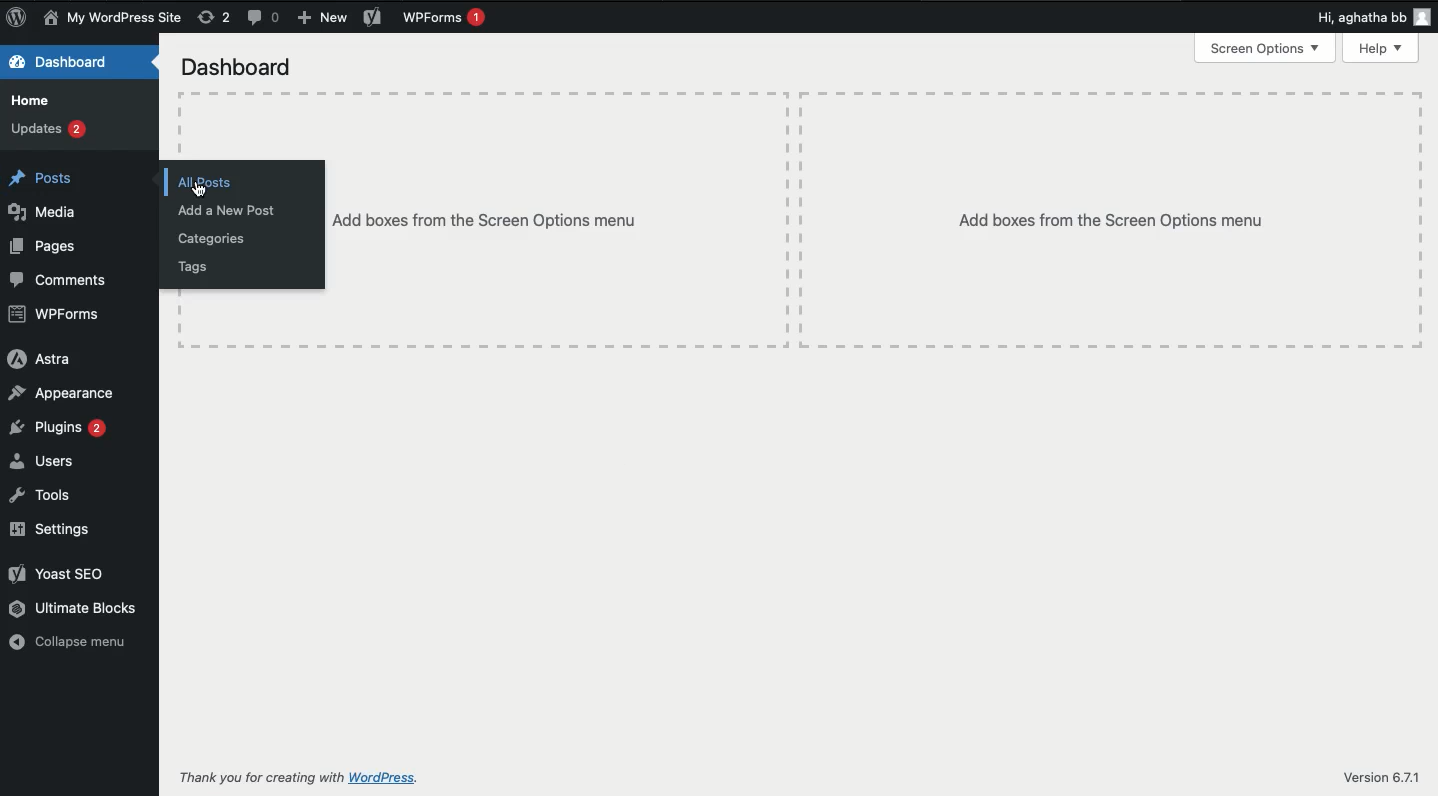 This screenshot has width=1438, height=796. Describe the element at coordinates (115, 19) in the screenshot. I see `Name` at that location.